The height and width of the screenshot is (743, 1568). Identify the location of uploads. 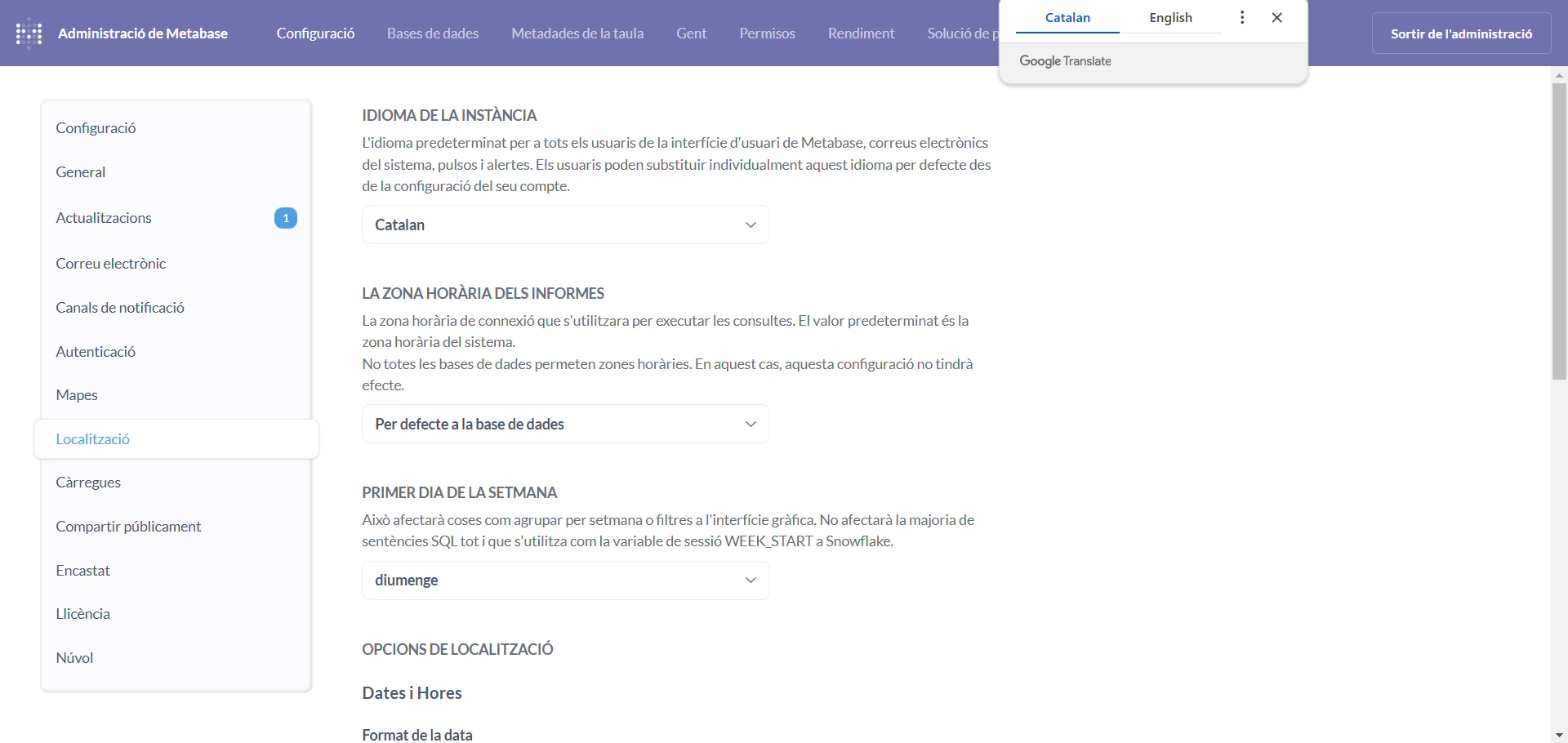
(160, 479).